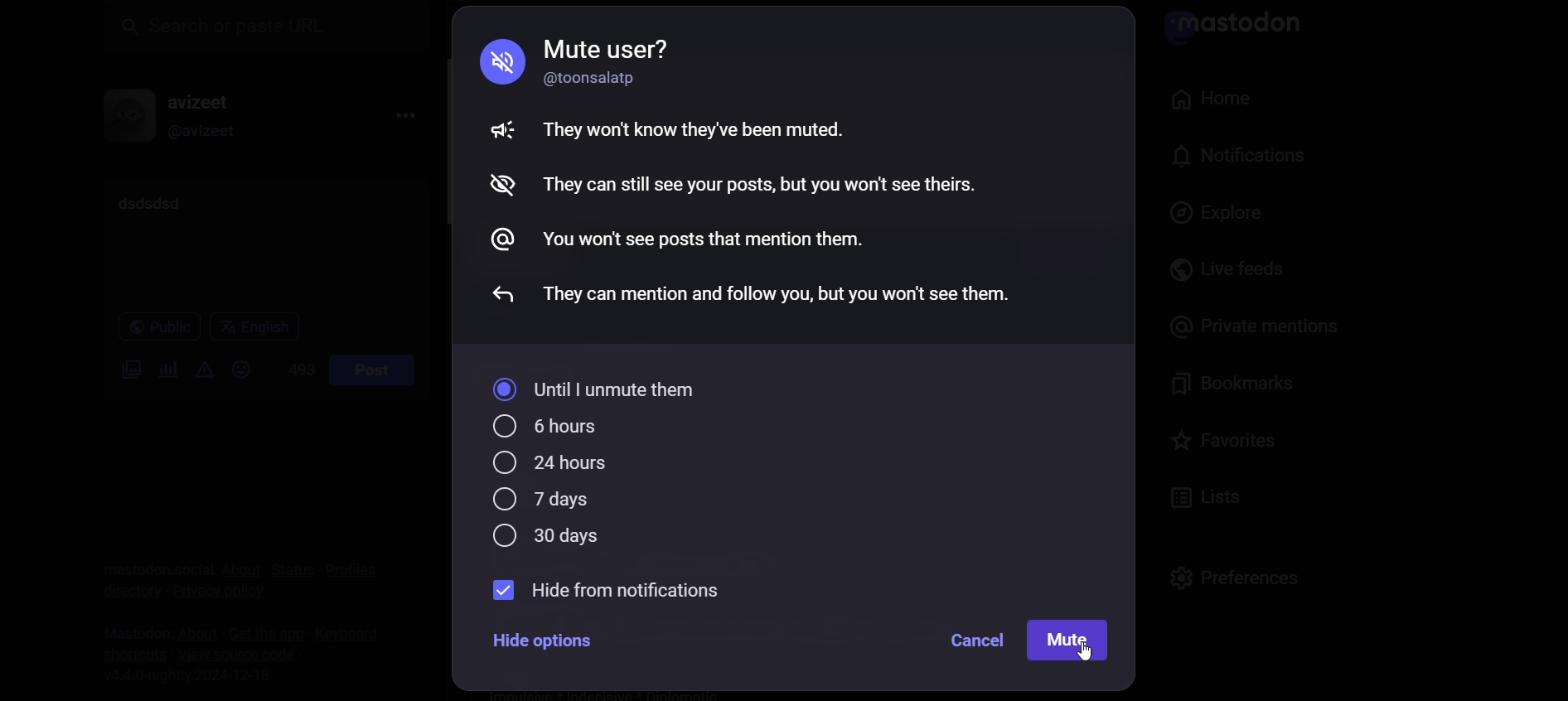 Image resolution: width=1568 pixels, height=701 pixels. I want to click on word limit, so click(295, 375).